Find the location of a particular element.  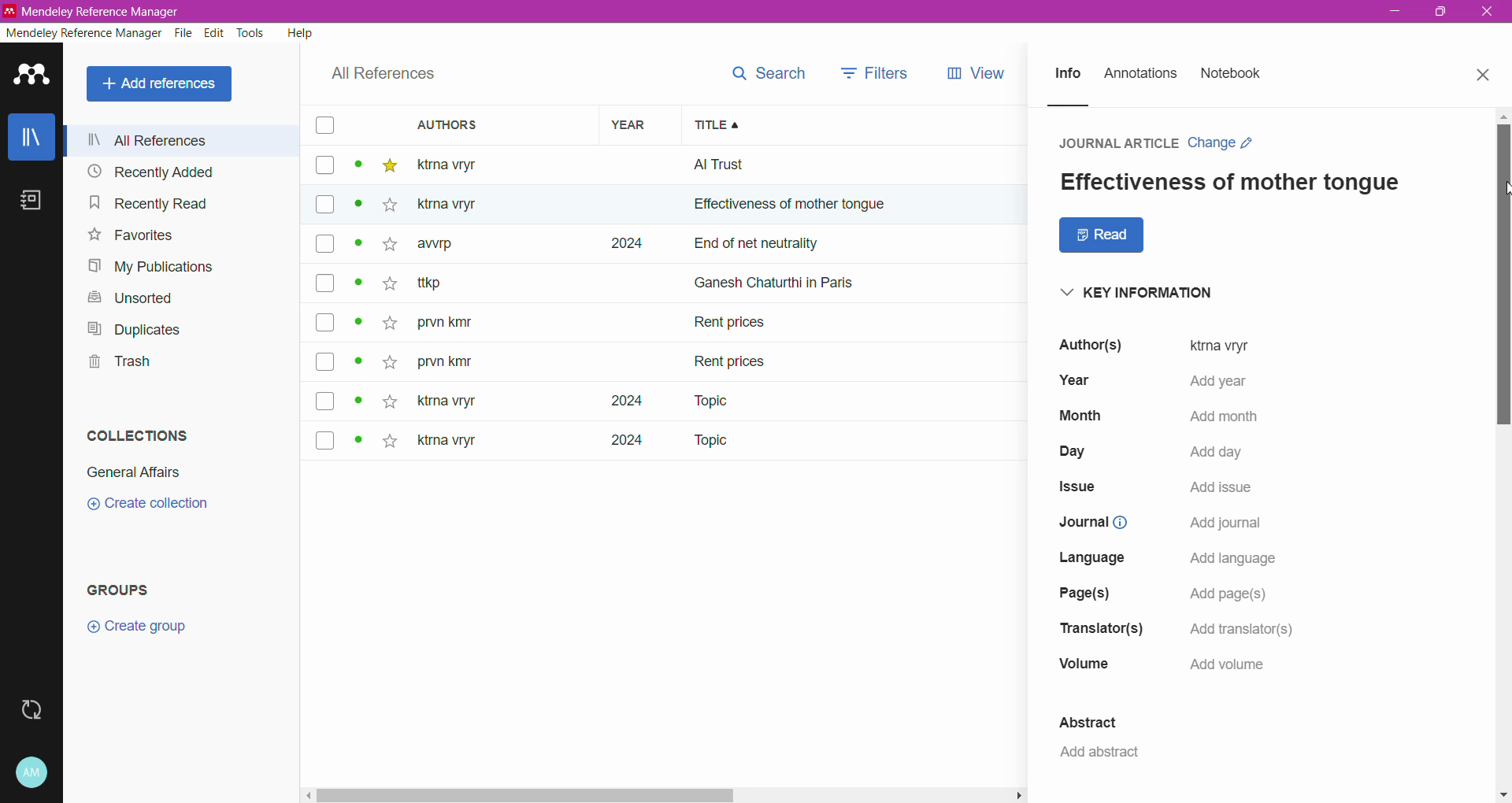

Library is located at coordinates (31, 136).